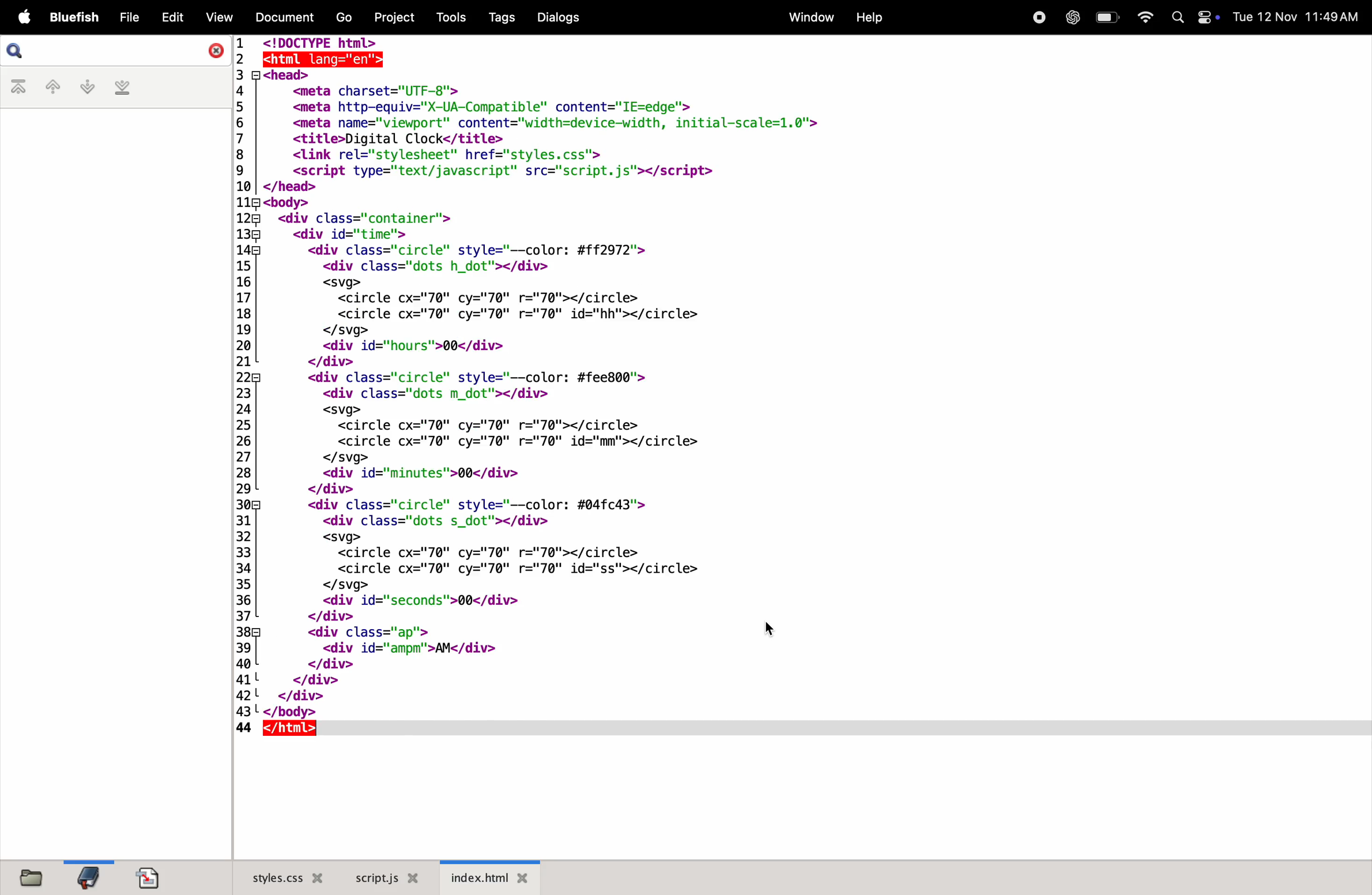  What do you see at coordinates (20, 88) in the screenshot?
I see `first bookmark` at bounding box center [20, 88].